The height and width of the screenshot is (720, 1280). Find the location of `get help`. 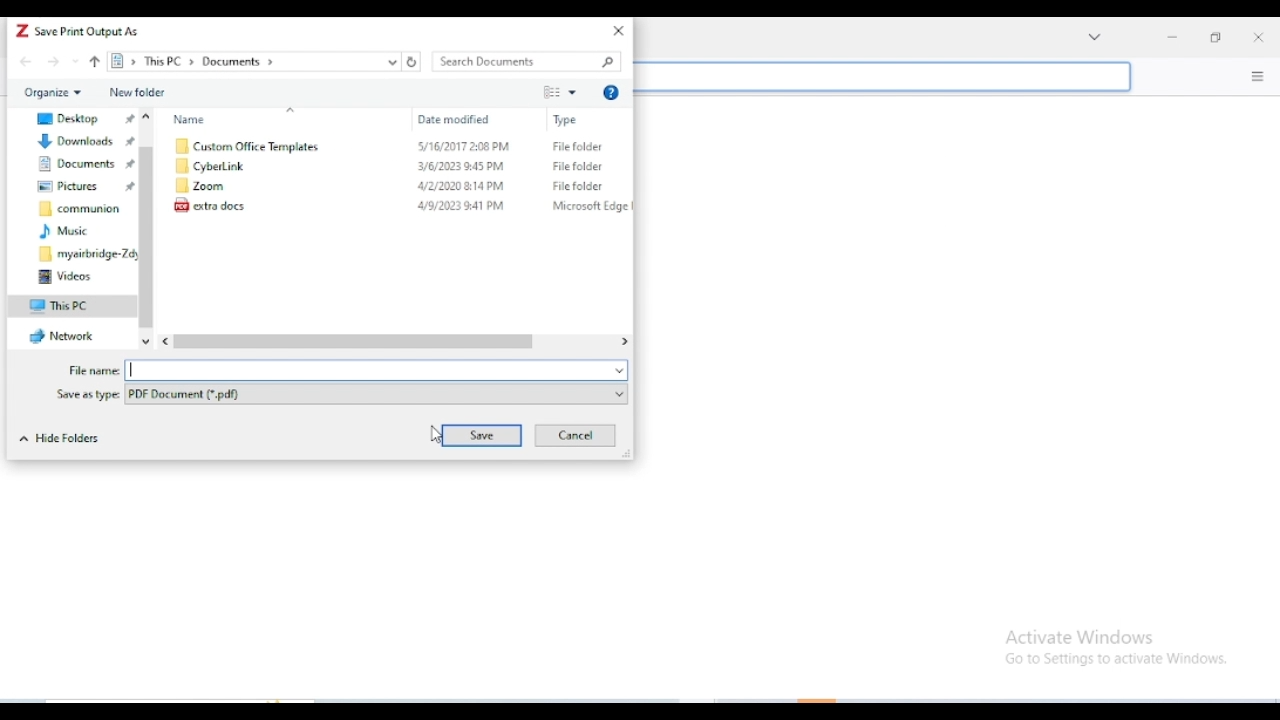

get help is located at coordinates (611, 93).